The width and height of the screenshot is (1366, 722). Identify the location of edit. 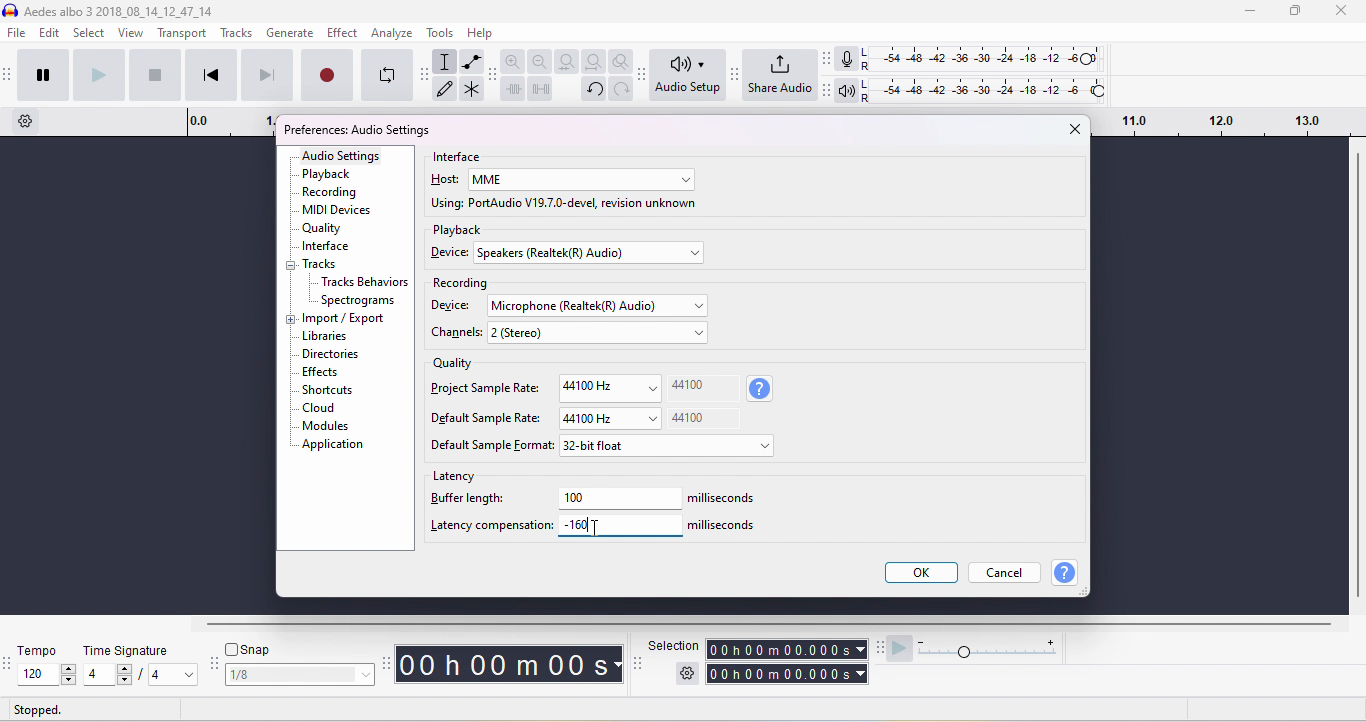
(51, 34).